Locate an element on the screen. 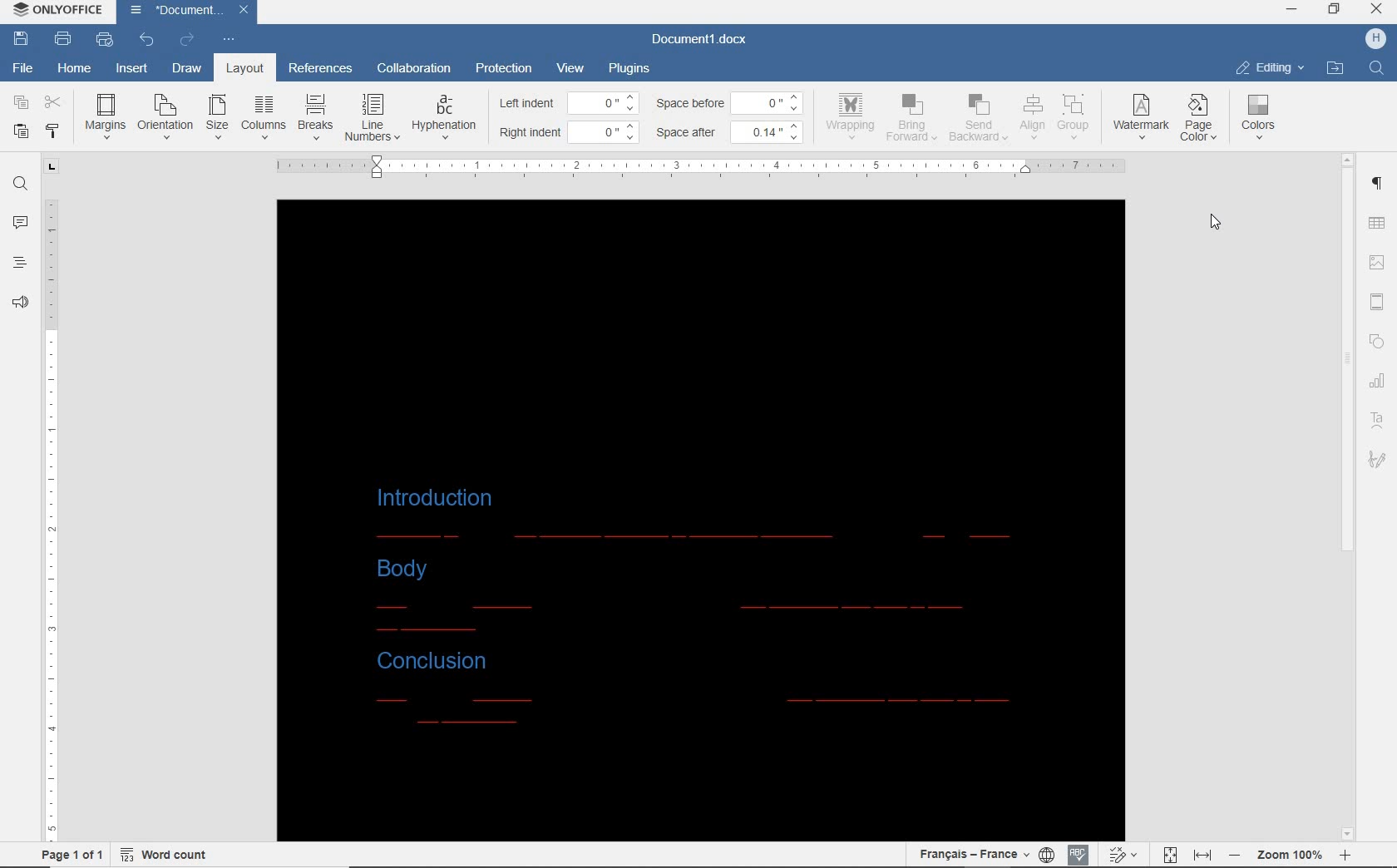  collaboration is located at coordinates (415, 70).